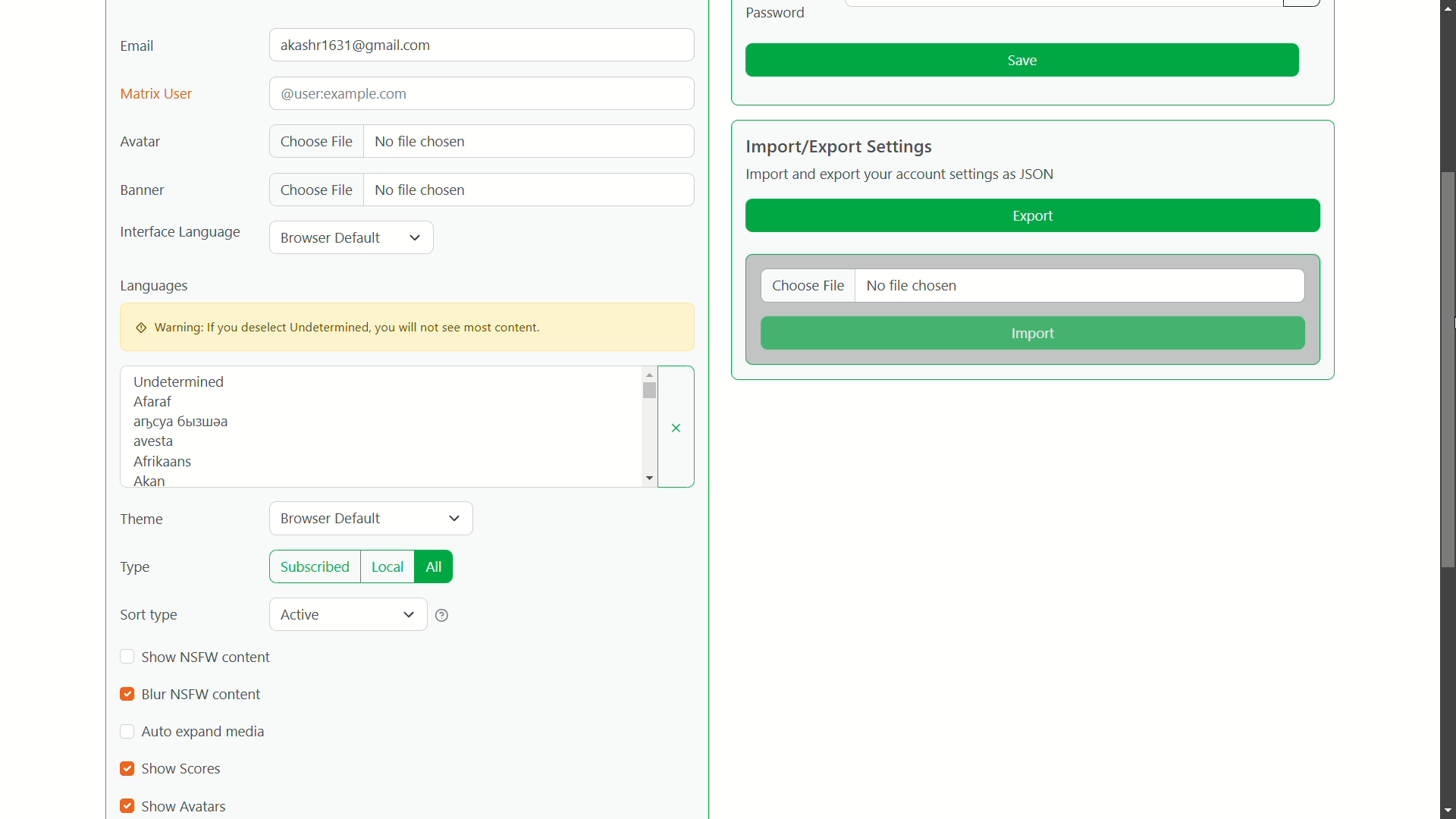  What do you see at coordinates (419, 188) in the screenshot?
I see `no file chosen` at bounding box center [419, 188].